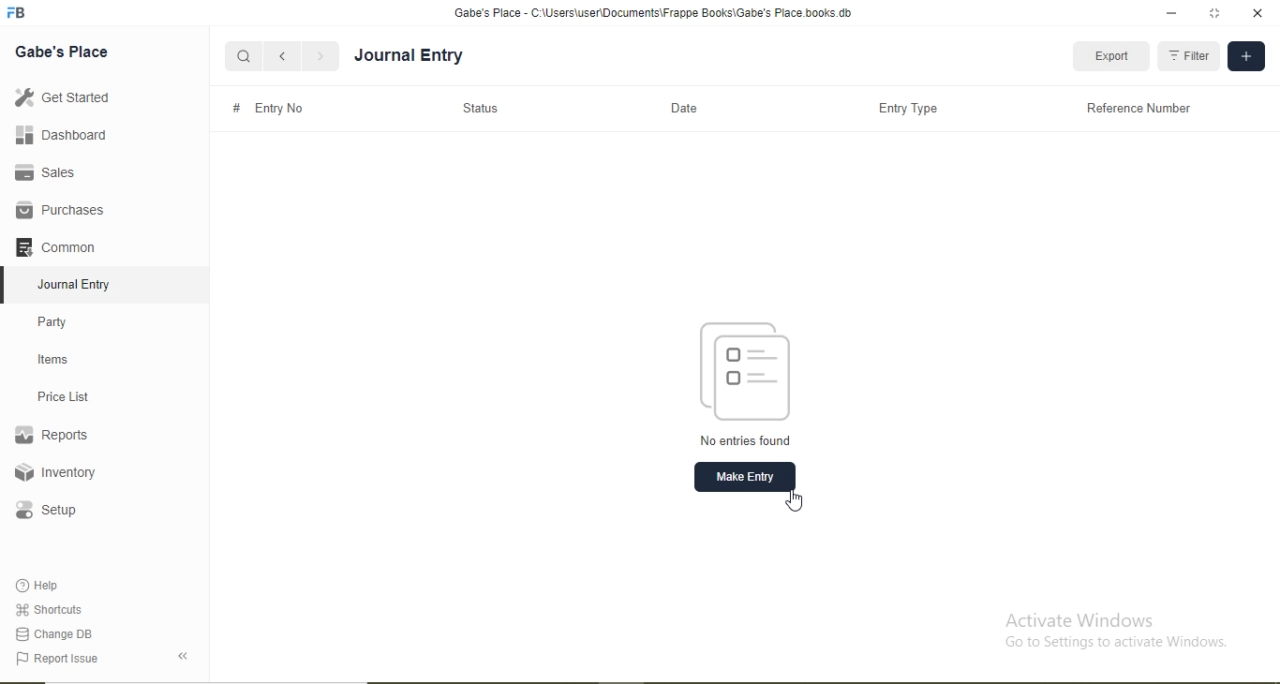 The image size is (1280, 684). I want to click on Journal Entry, so click(76, 285).